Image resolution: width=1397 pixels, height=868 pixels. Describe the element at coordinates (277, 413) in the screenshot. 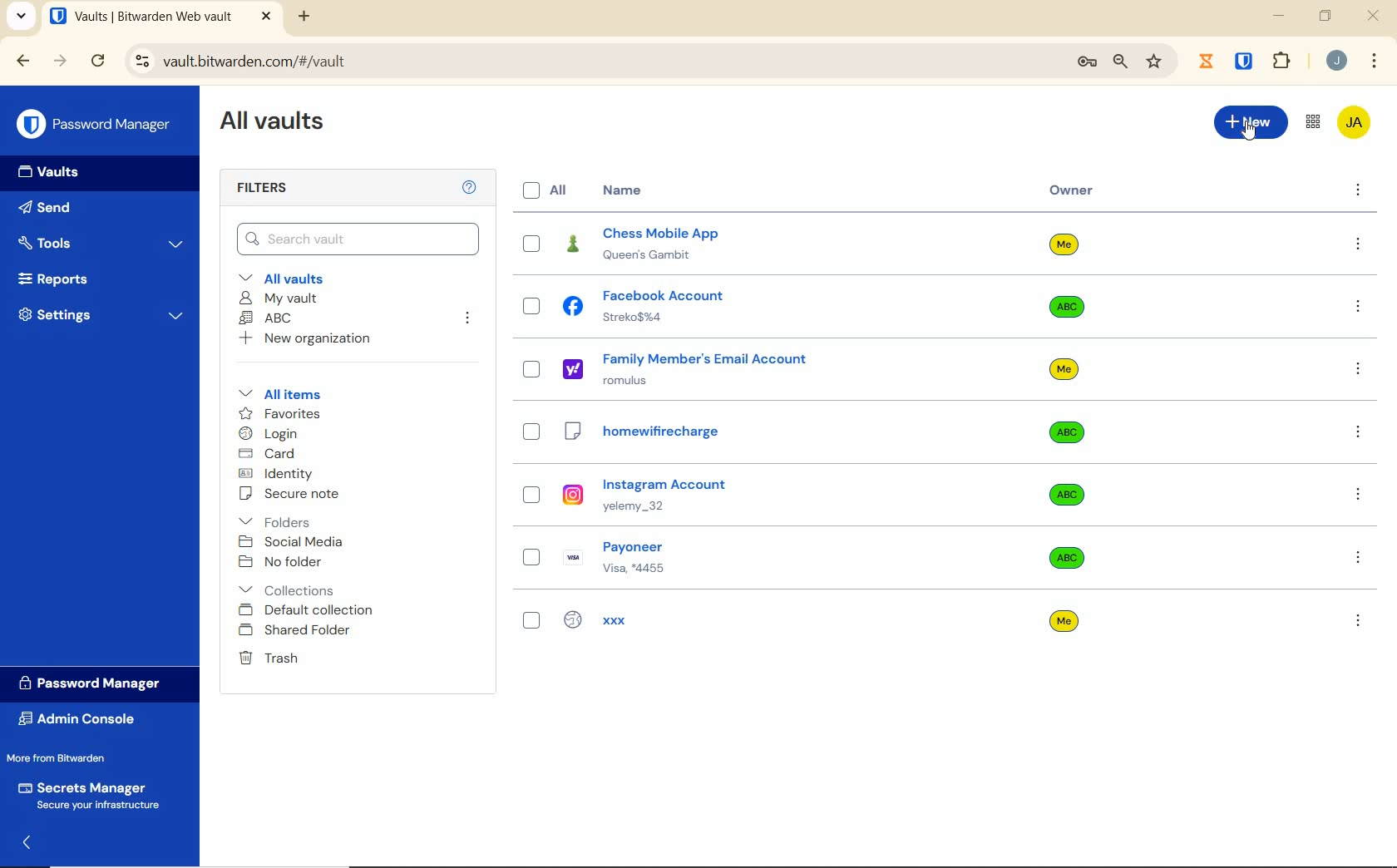

I see `favorites` at that location.